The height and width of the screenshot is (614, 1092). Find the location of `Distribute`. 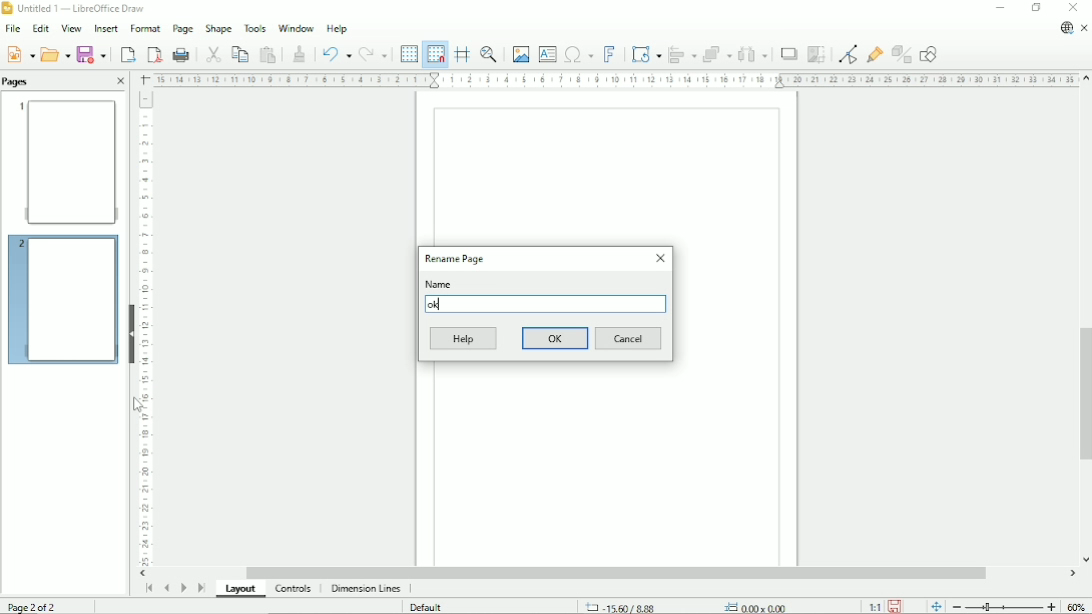

Distribute is located at coordinates (753, 55).